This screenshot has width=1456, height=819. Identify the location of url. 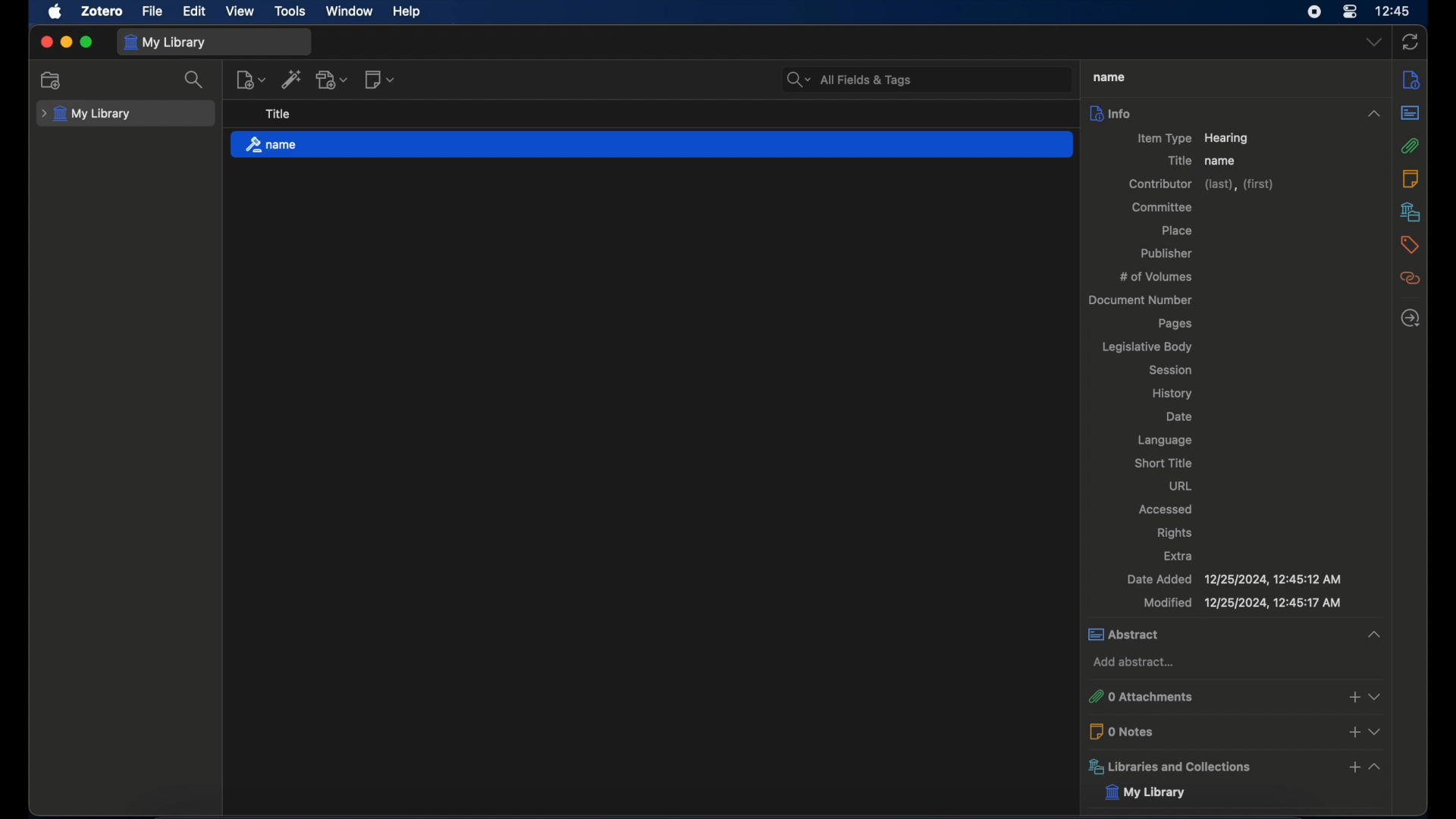
(1179, 485).